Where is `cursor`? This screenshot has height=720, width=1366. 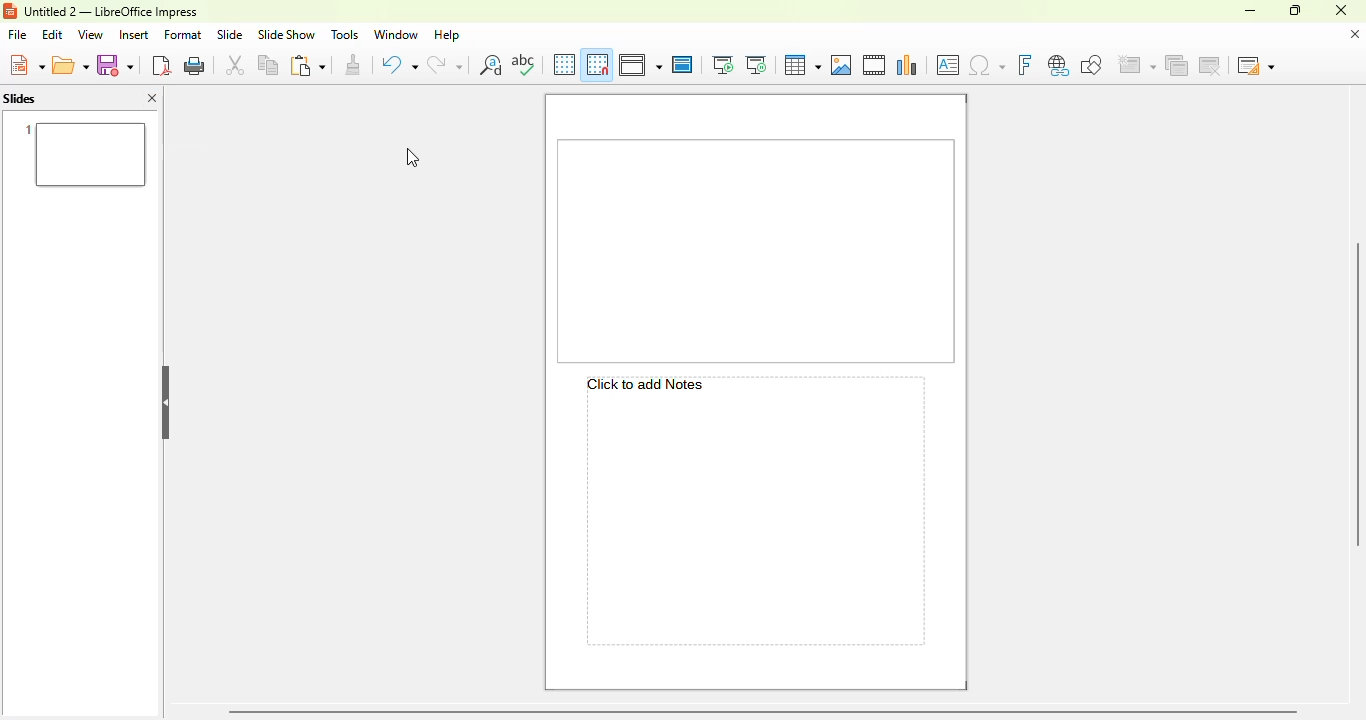 cursor is located at coordinates (413, 157).